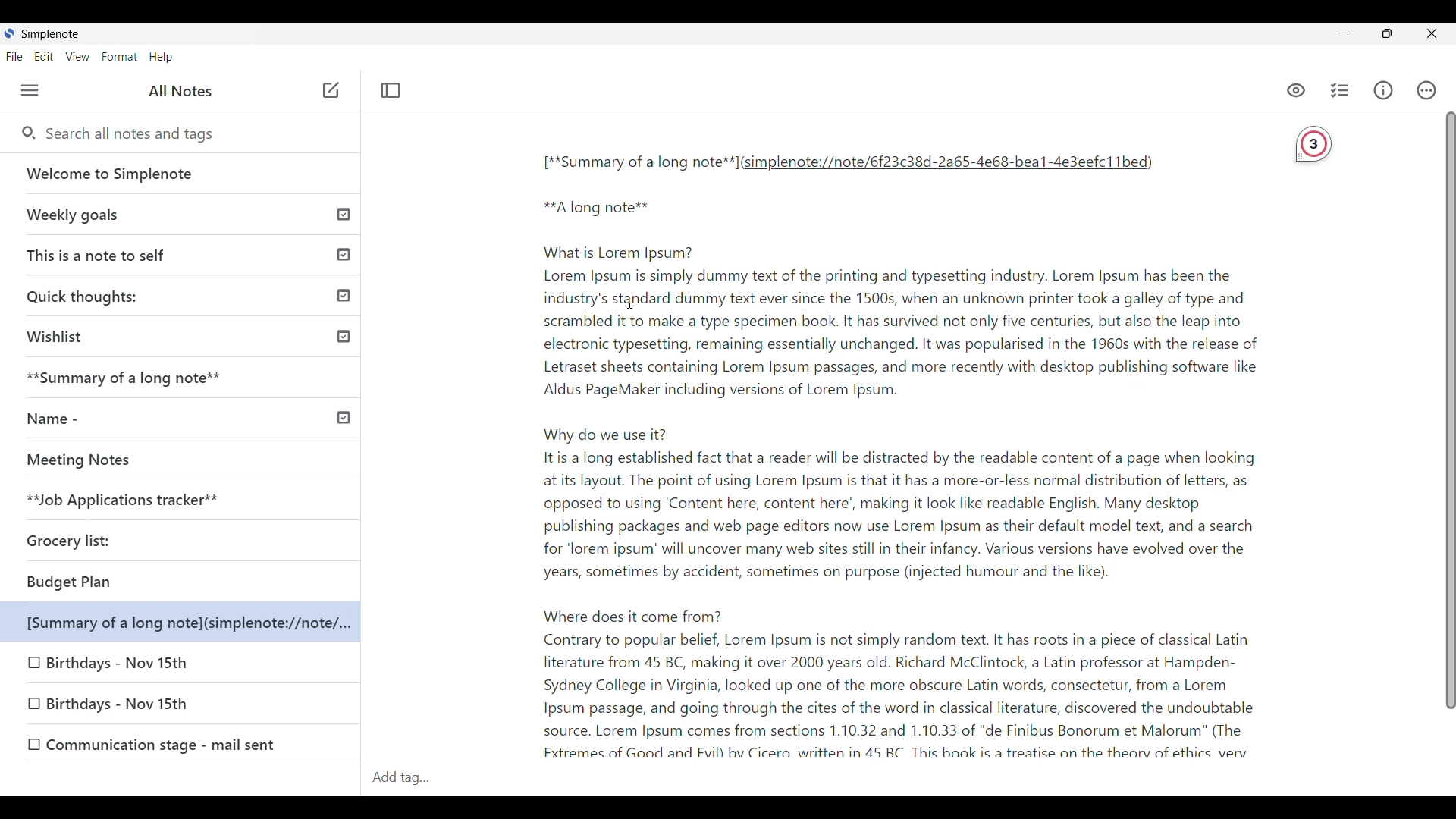 Image resolution: width=1456 pixels, height=819 pixels. What do you see at coordinates (1388, 33) in the screenshot?
I see `Resize` at bounding box center [1388, 33].